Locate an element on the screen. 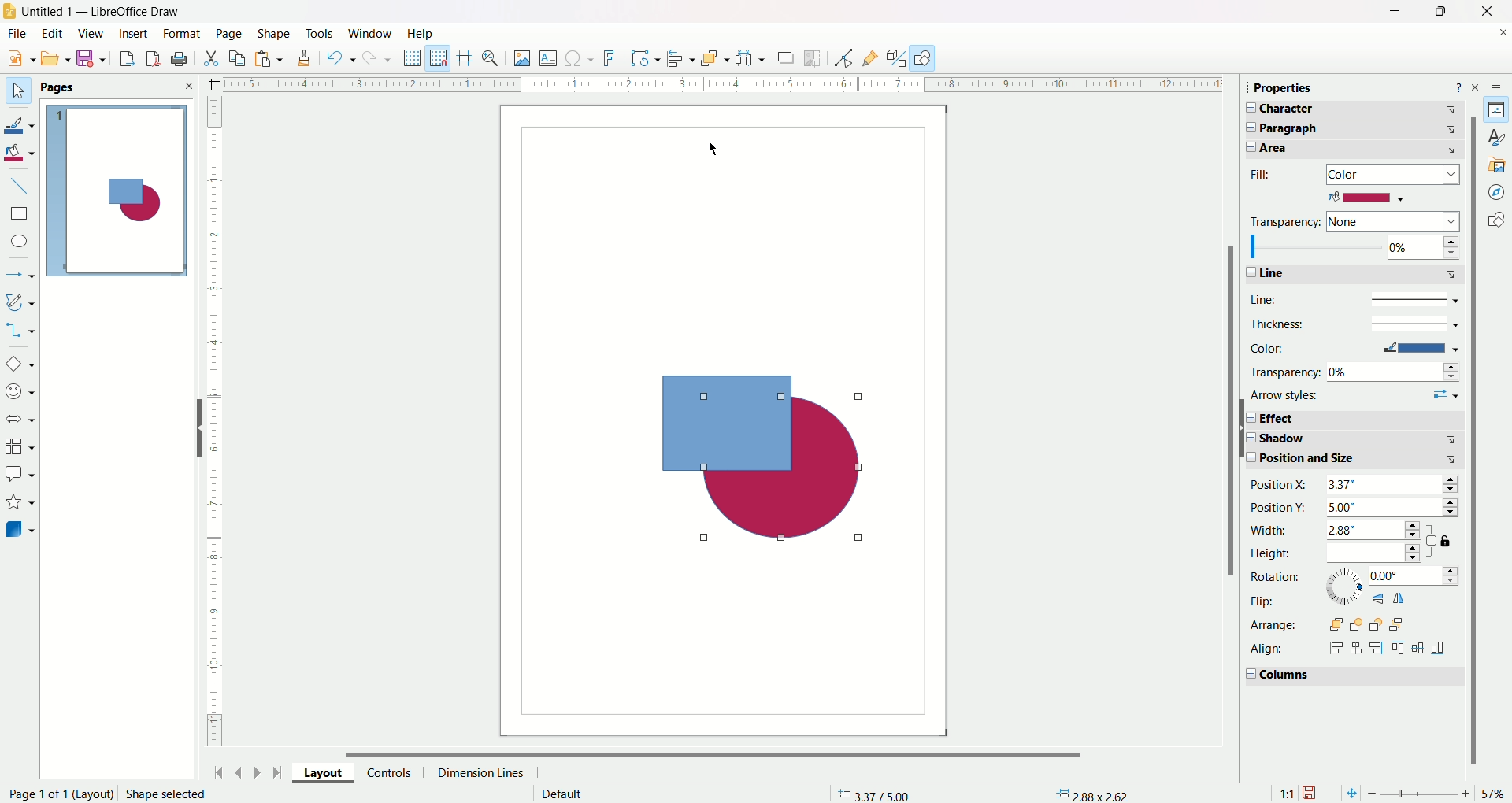  character is located at coordinates (1360, 109).